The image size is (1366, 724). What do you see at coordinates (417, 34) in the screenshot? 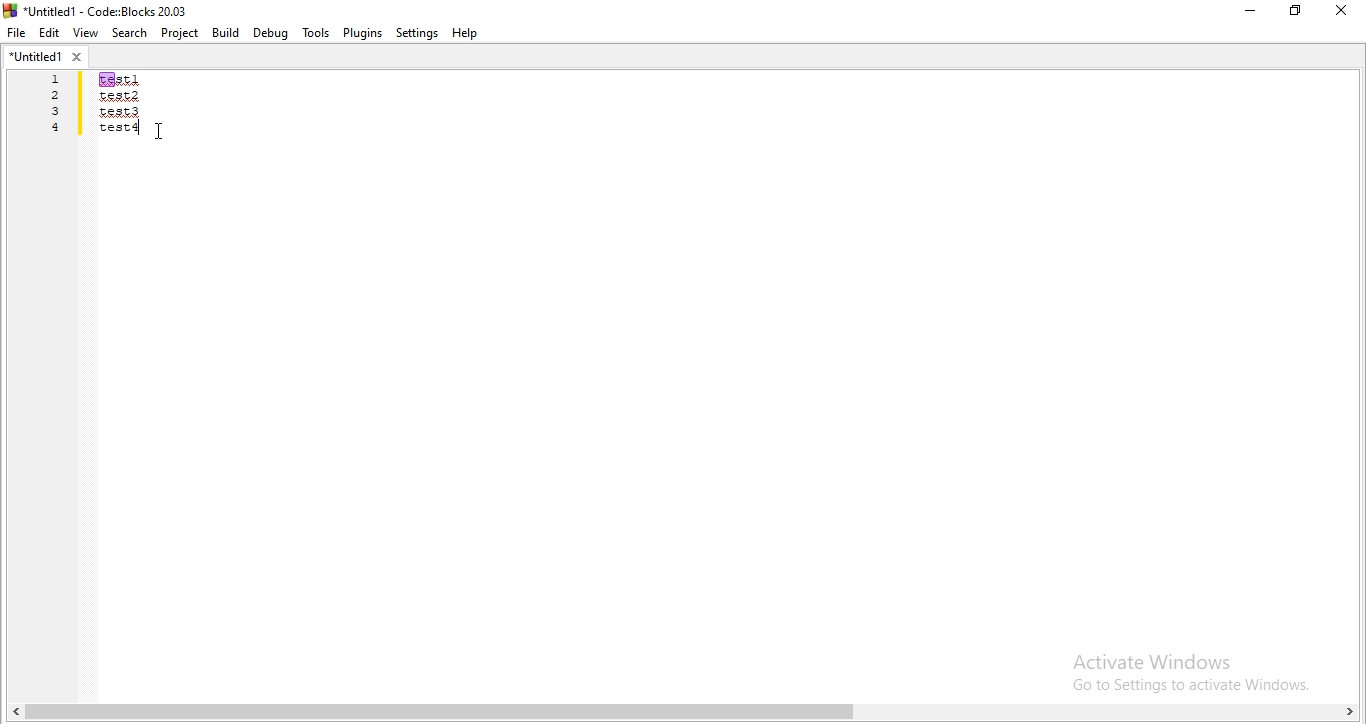
I see `Settings ` at bounding box center [417, 34].